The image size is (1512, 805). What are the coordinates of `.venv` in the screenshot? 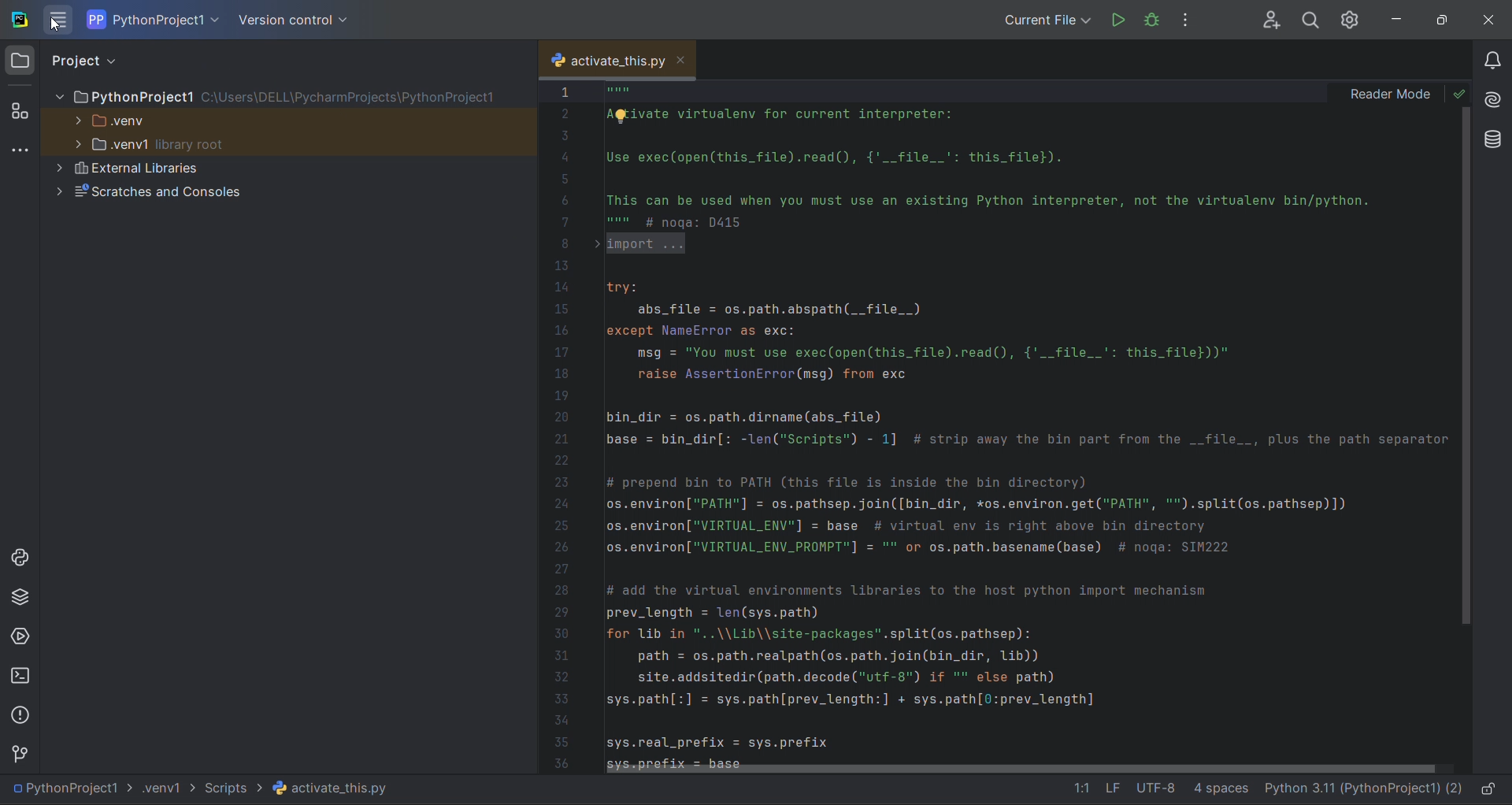 It's located at (187, 120).